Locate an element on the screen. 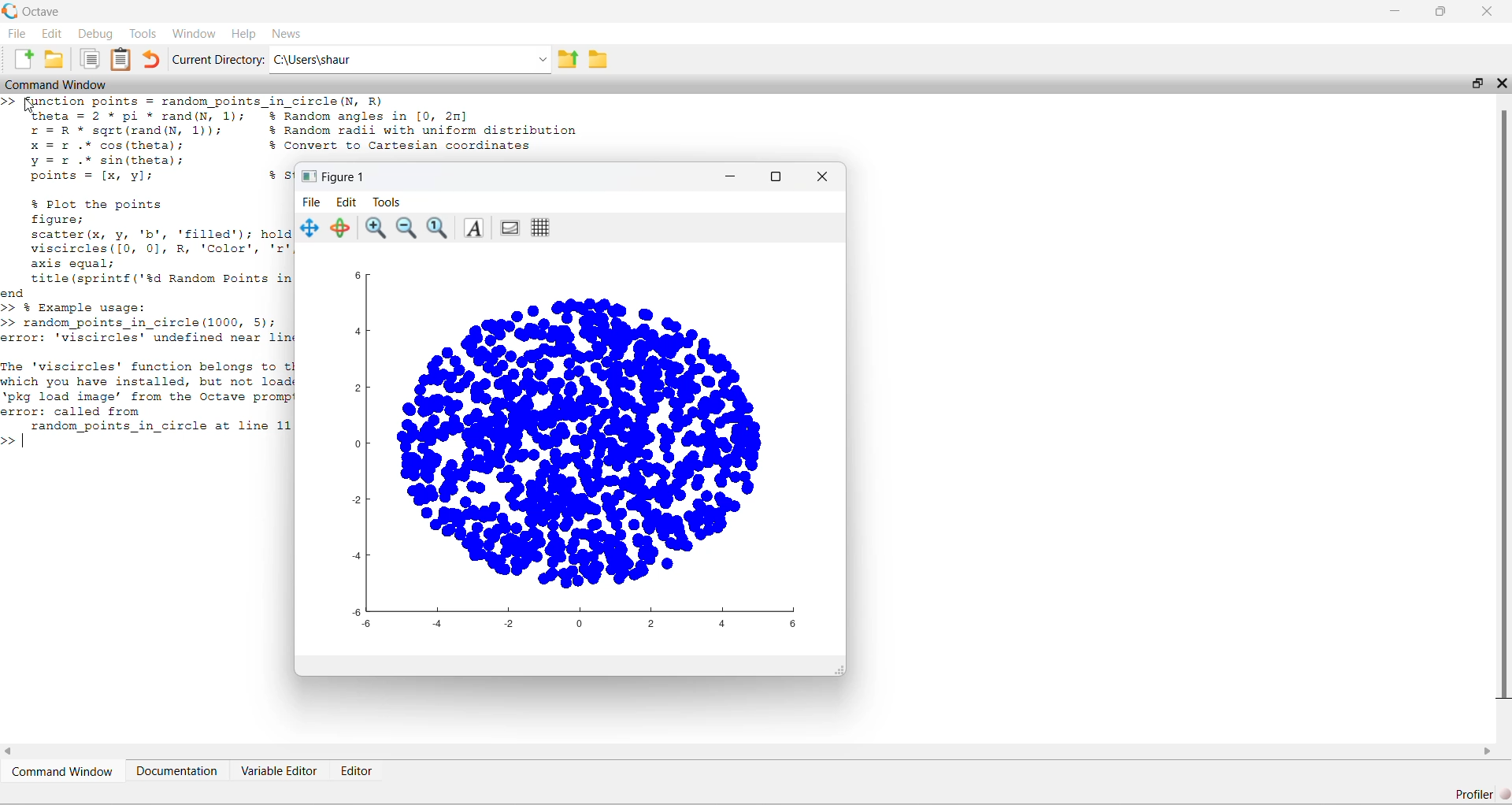  Figure 1 is located at coordinates (333, 176).